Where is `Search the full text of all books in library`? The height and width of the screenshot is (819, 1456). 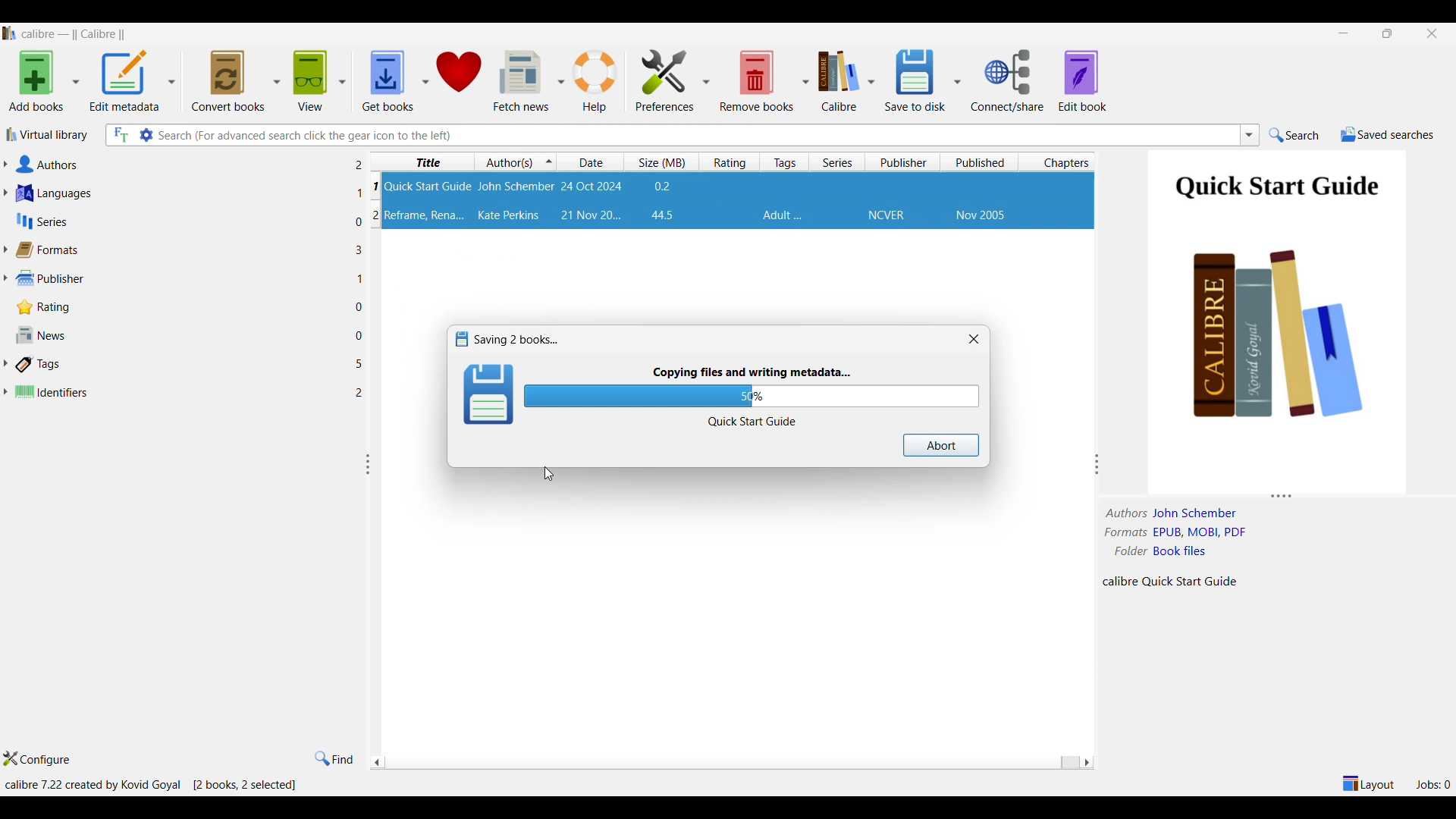 Search the full text of all books in library is located at coordinates (120, 135).